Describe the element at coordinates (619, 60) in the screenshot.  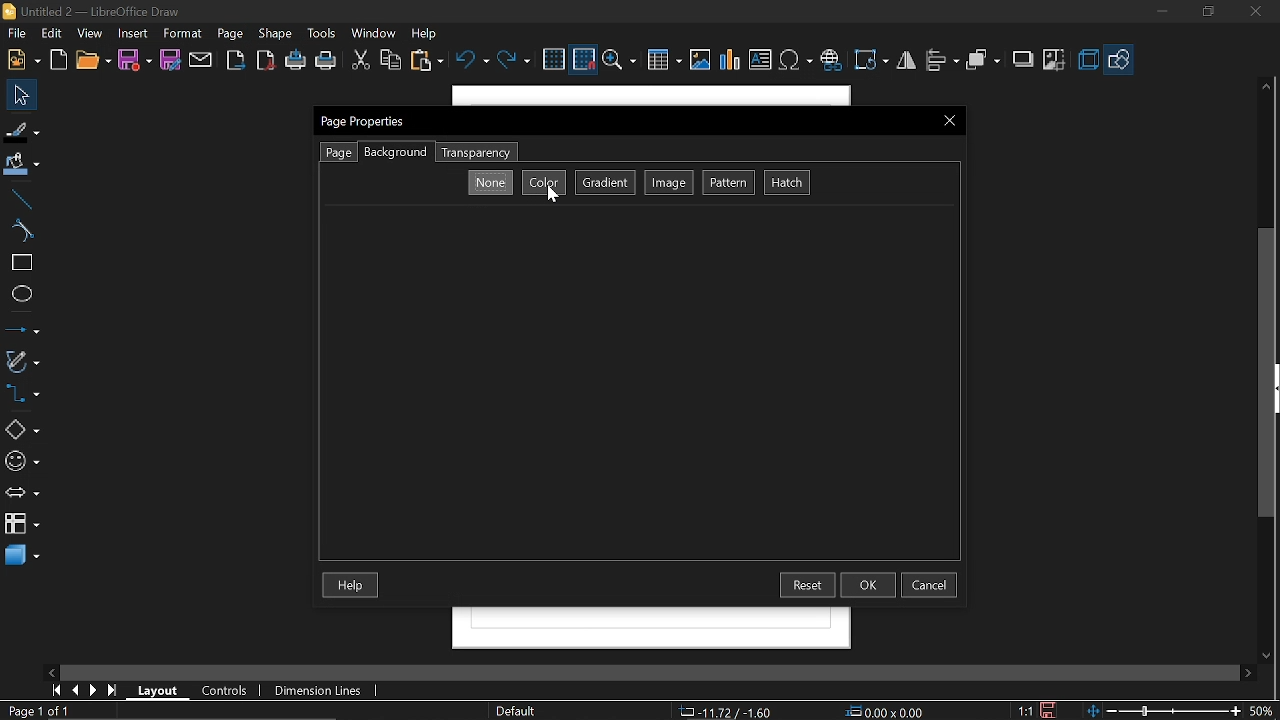
I see `Zoom` at that location.